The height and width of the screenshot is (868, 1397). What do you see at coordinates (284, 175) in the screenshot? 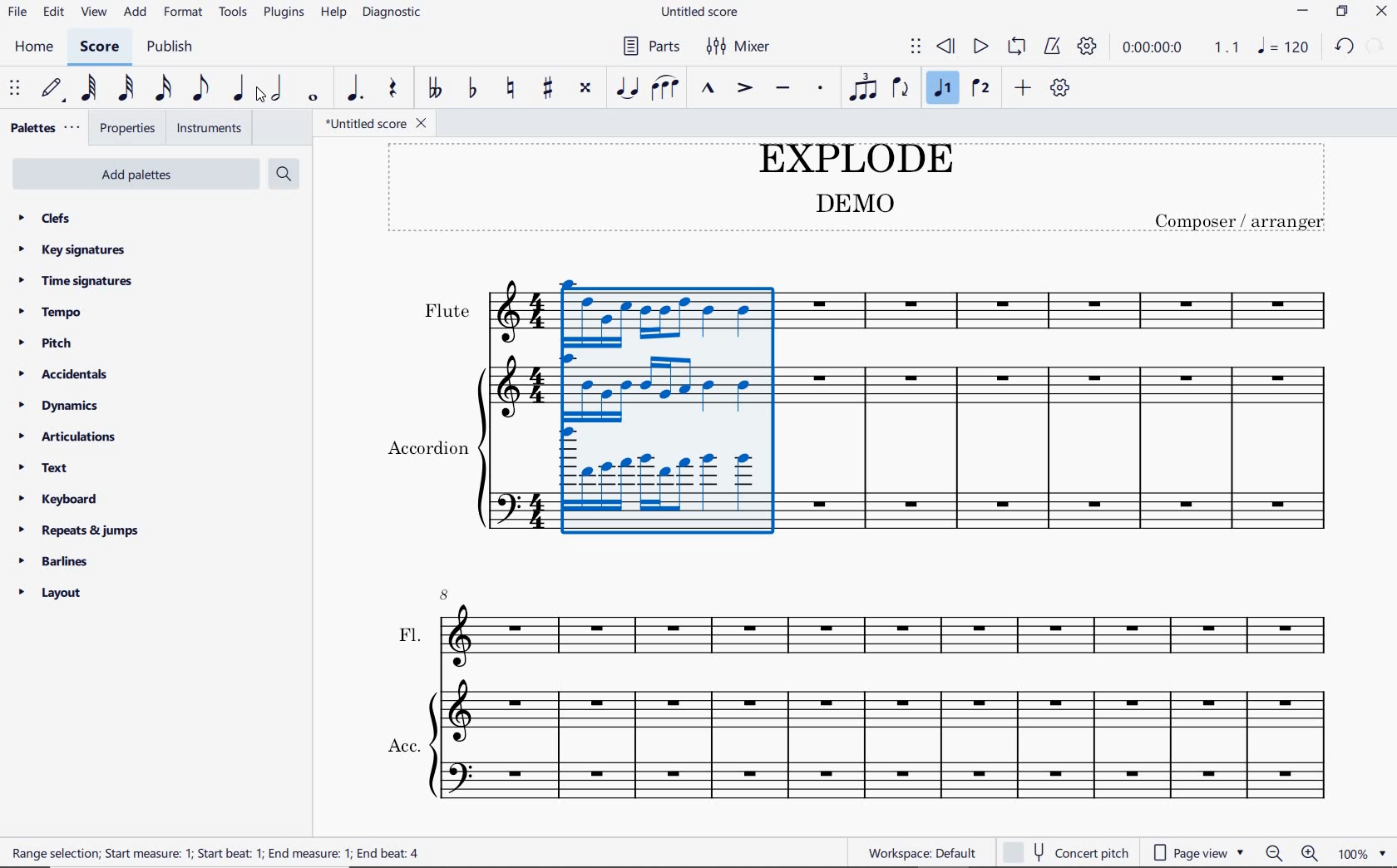
I see `search palettes` at bounding box center [284, 175].